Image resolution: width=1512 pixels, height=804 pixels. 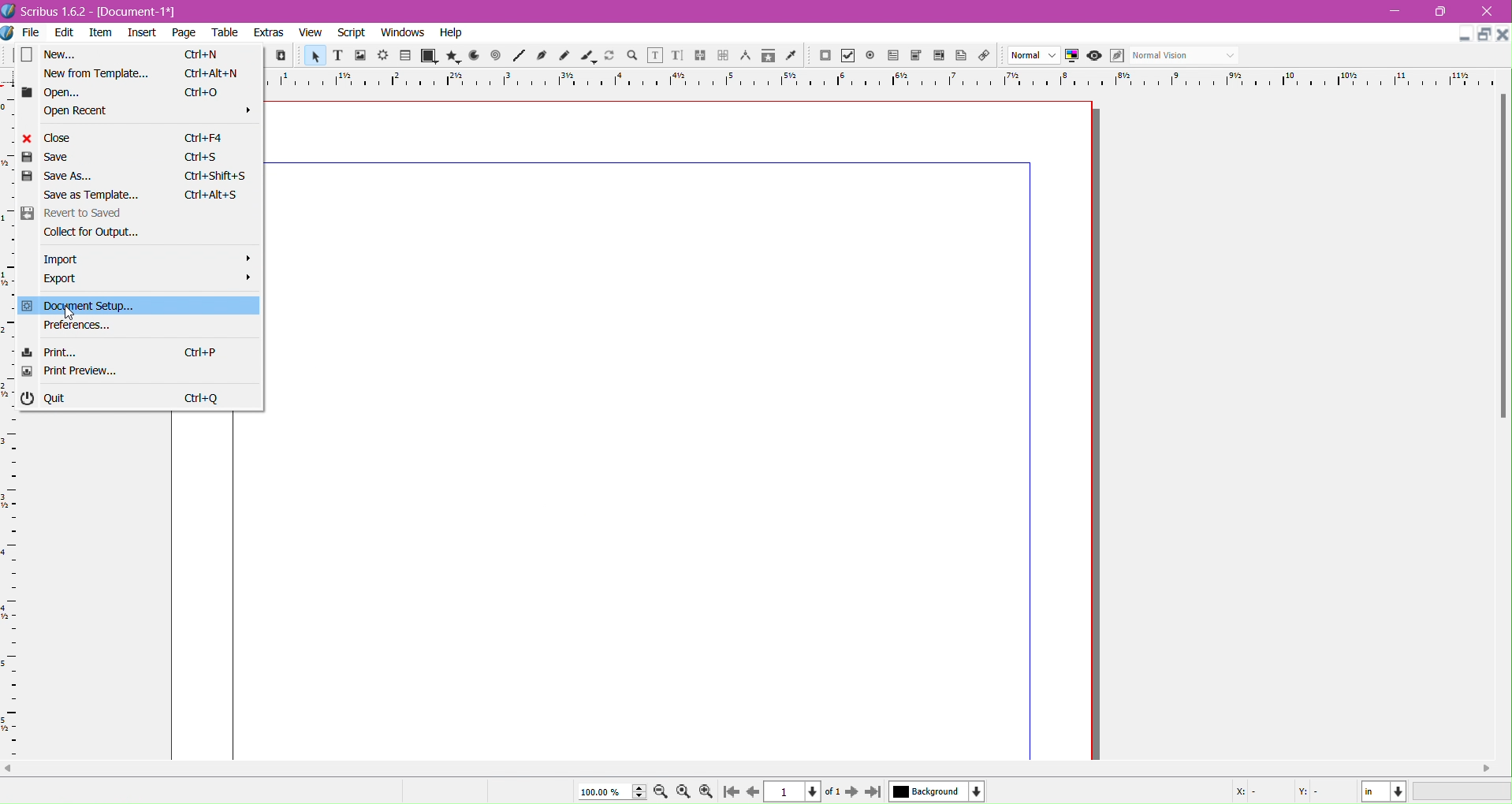 What do you see at coordinates (685, 792) in the screenshot?
I see `zoom to 100%` at bounding box center [685, 792].